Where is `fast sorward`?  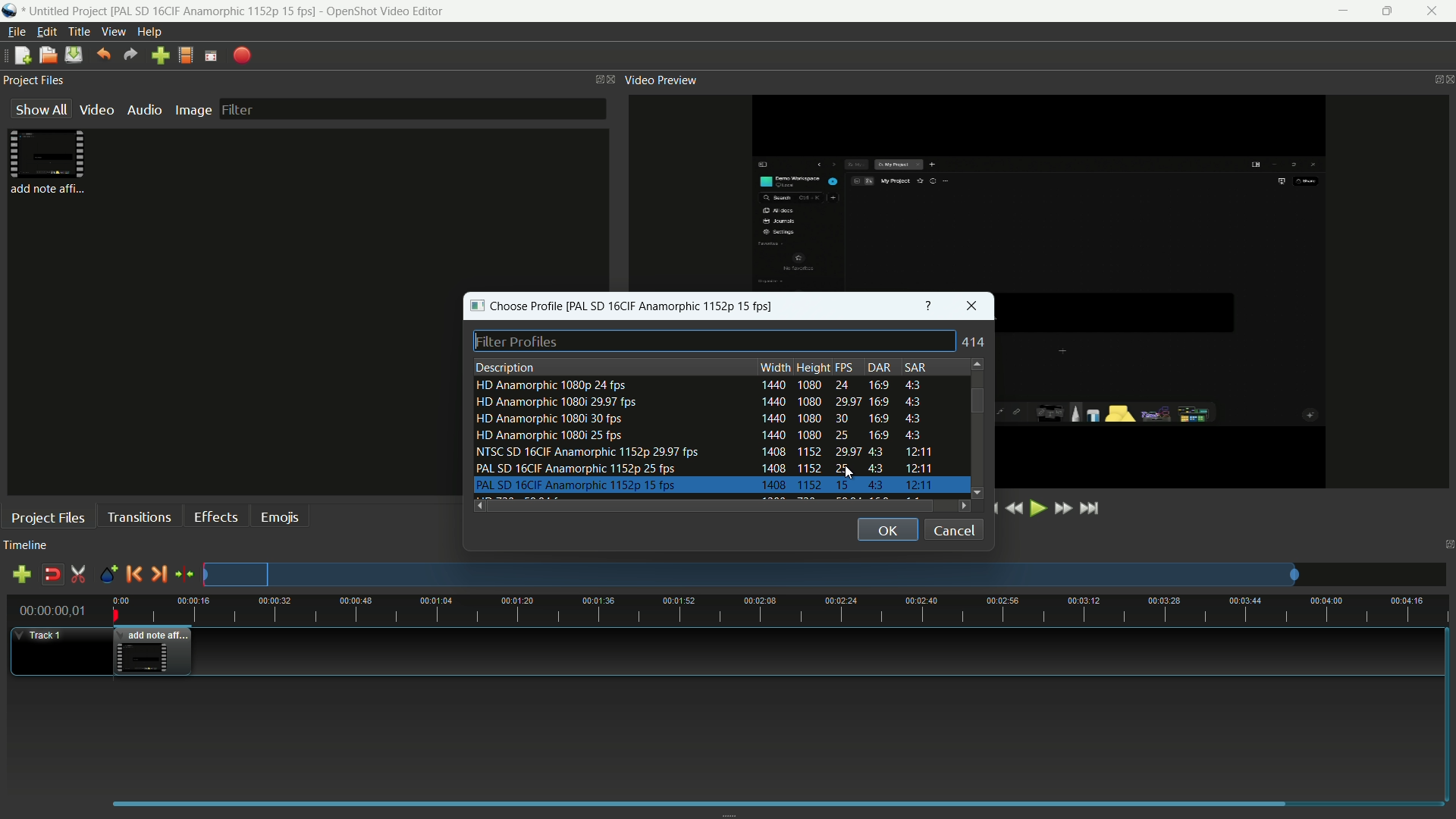
fast sorward is located at coordinates (1062, 510).